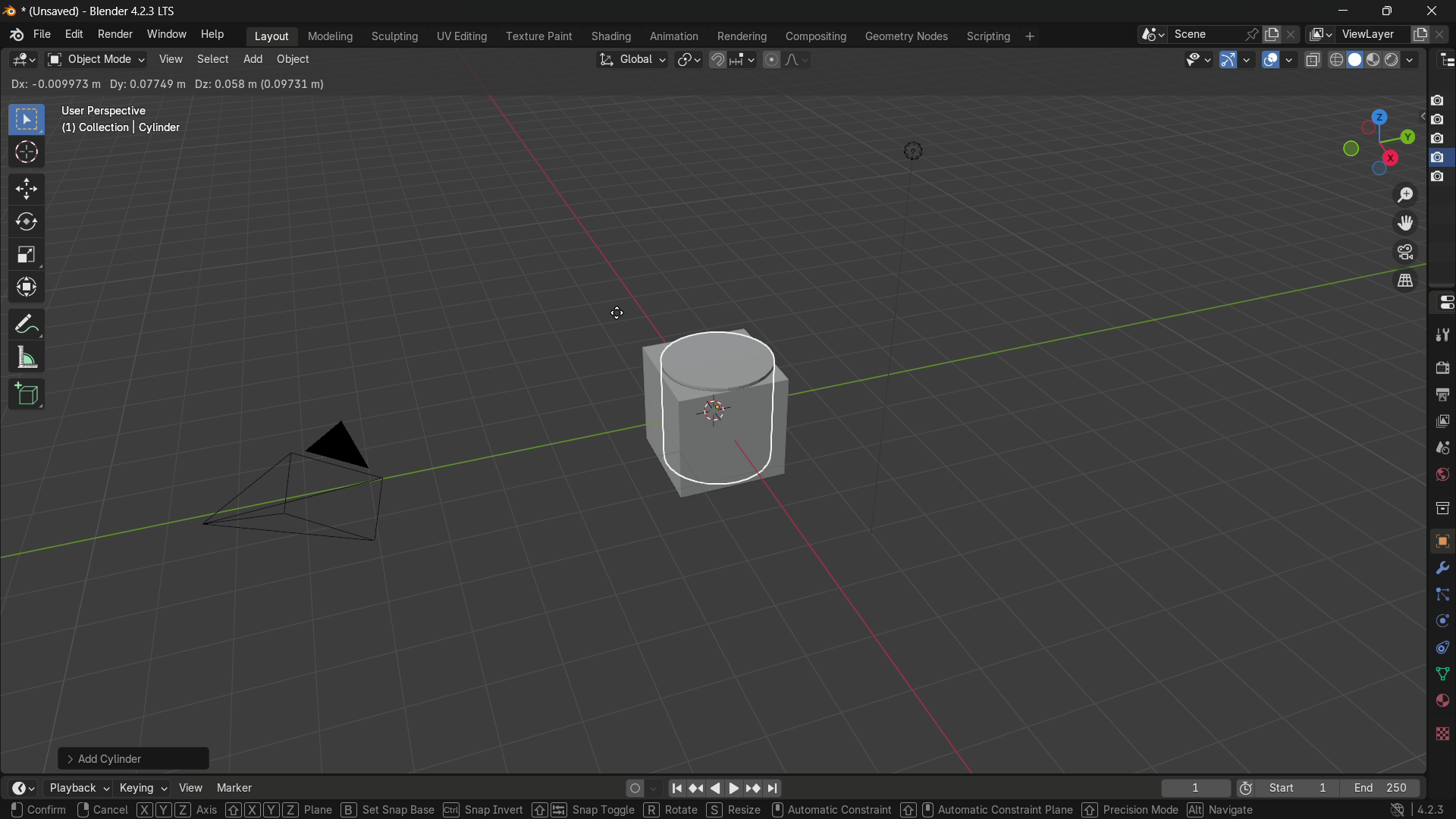 The width and height of the screenshot is (1456, 819). What do you see at coordinates (188, 787) in the screenshot?
I see `view` at bounding box center [188, 787].